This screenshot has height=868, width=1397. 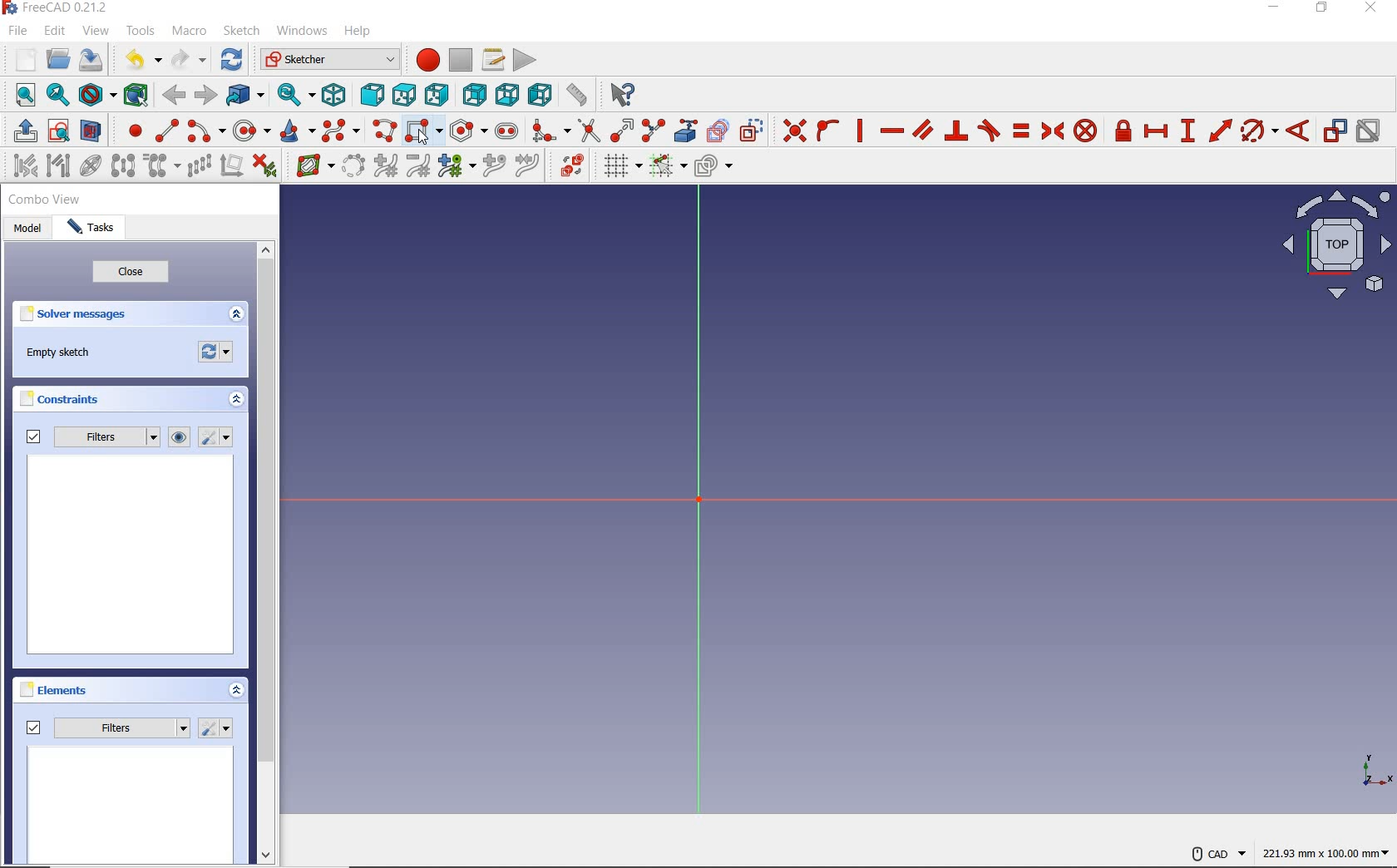 I want to click on clone, so click(x=163, y=166).